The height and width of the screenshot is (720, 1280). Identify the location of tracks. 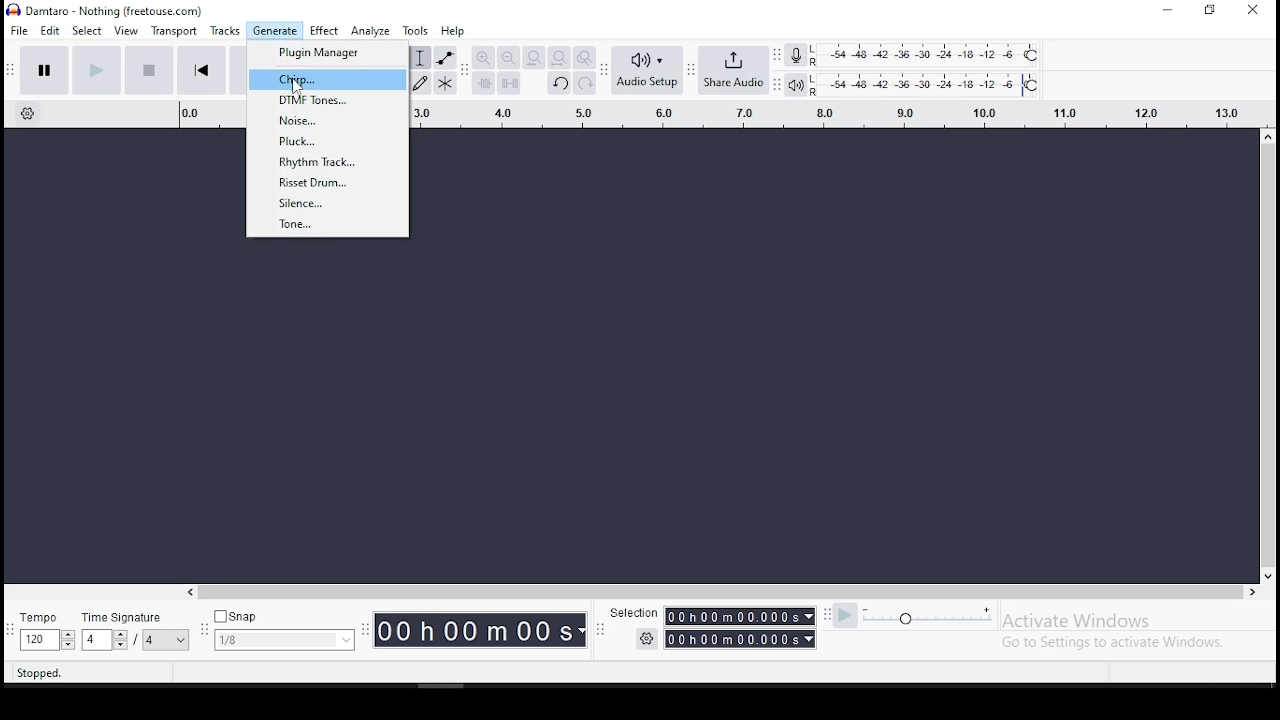
(226, 31).